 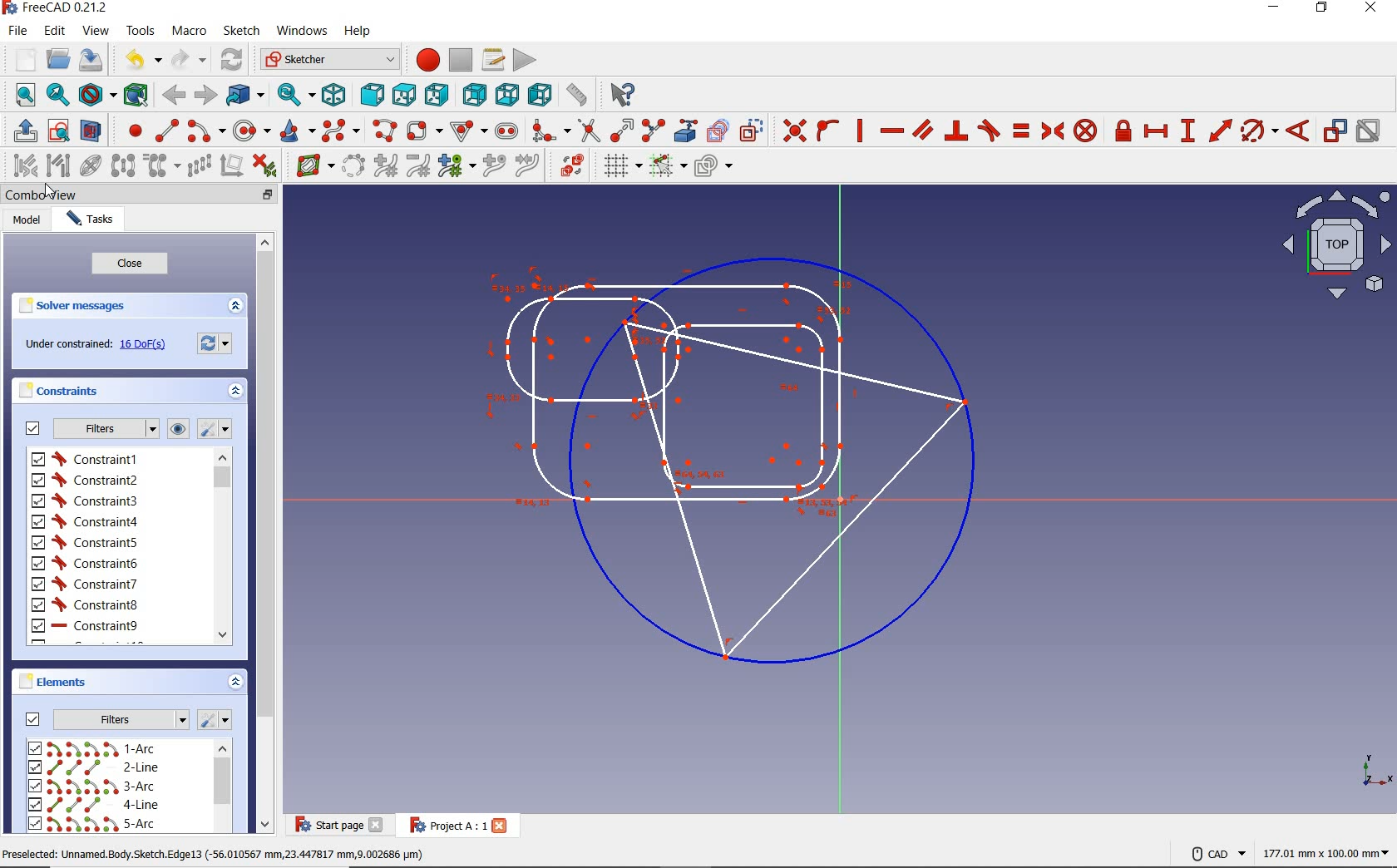 What do you see at coordinates (89, 459) in the screenshot?
I see `constraint1` at bounding box center [89, 459].